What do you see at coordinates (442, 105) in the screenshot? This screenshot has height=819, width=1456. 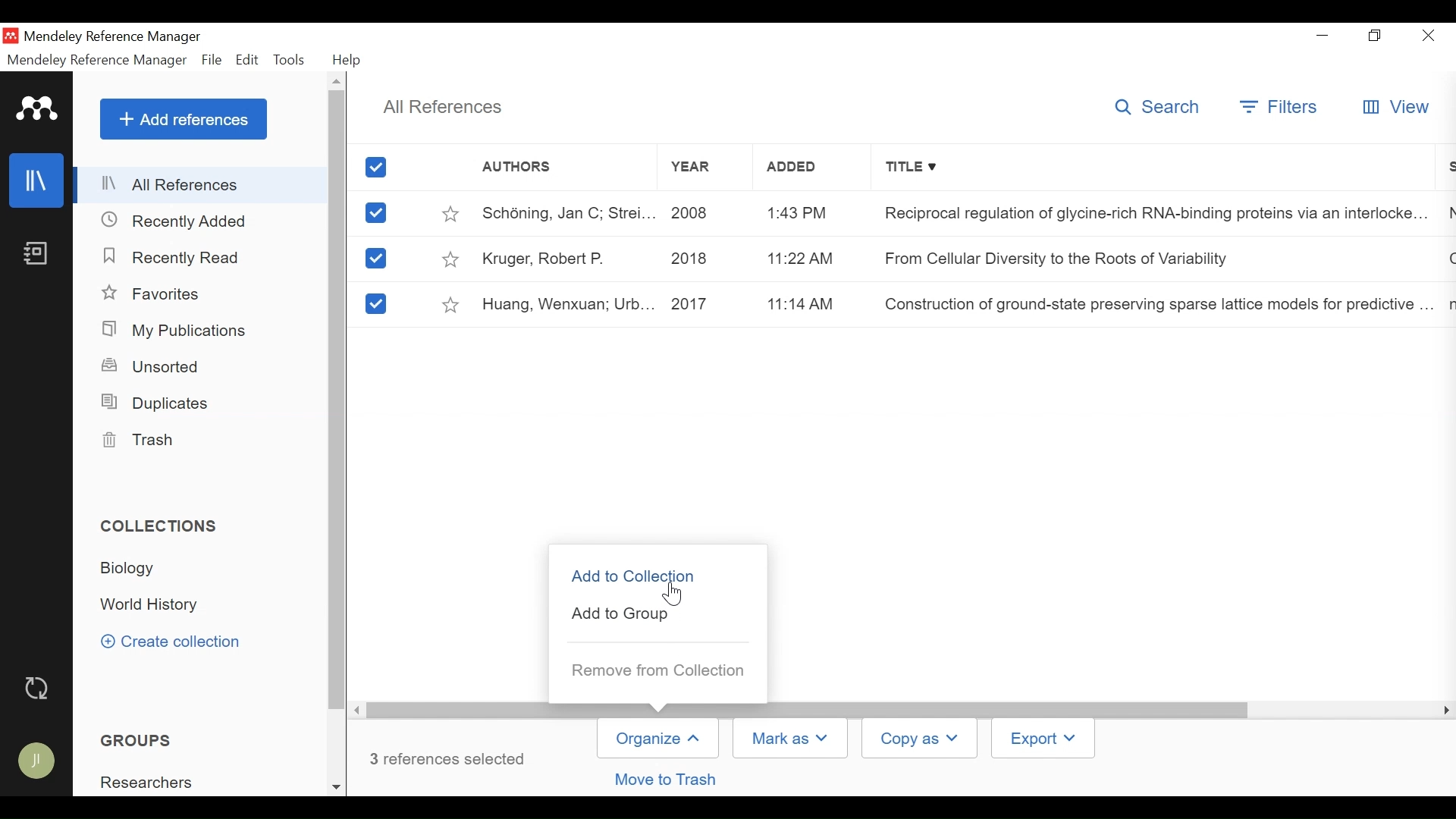 I see `All References` at bounding box center [442, 105].